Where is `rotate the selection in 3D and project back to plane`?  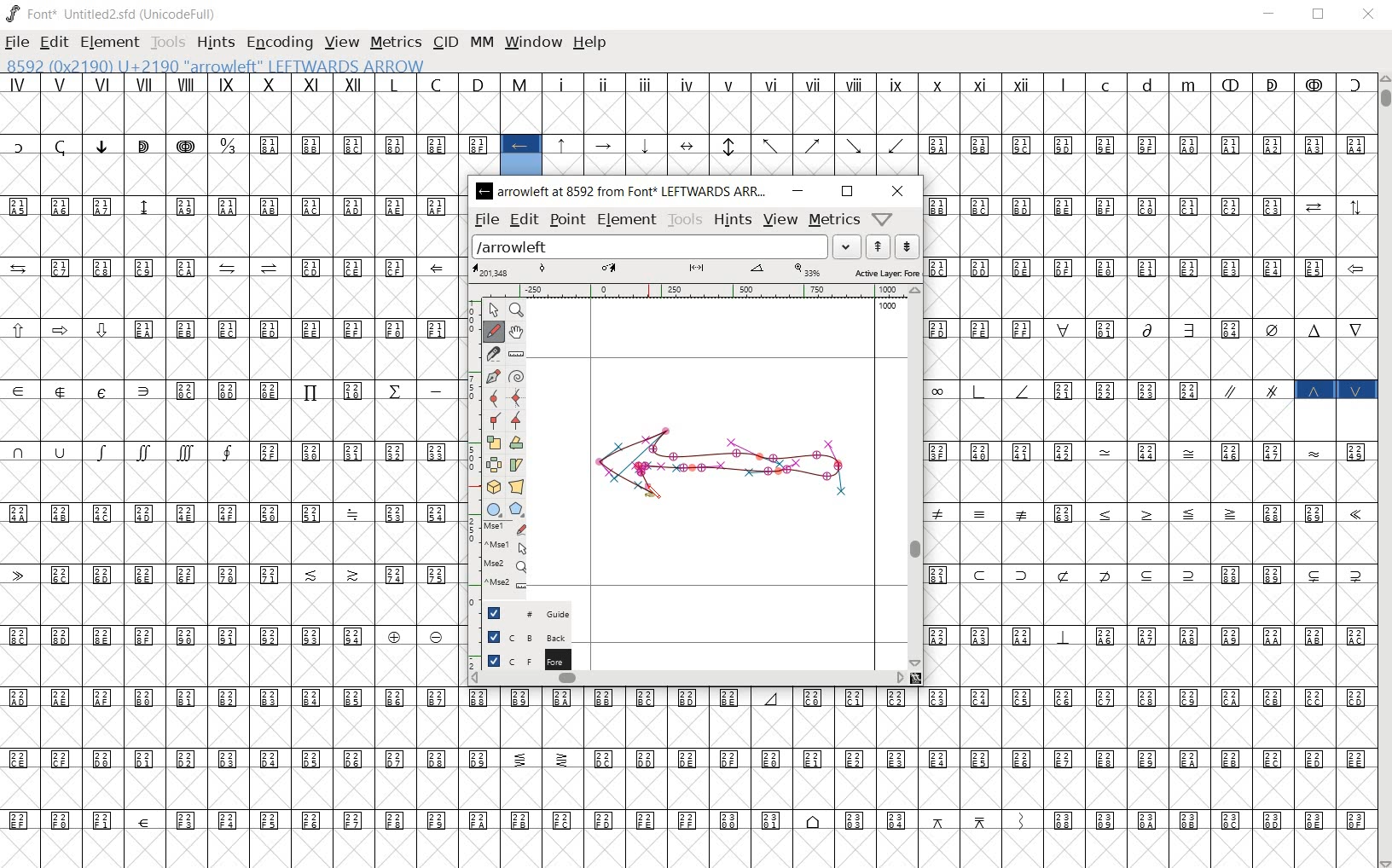 rotate the selection in 3D and project back to plane is located at coordinates (493, 488).